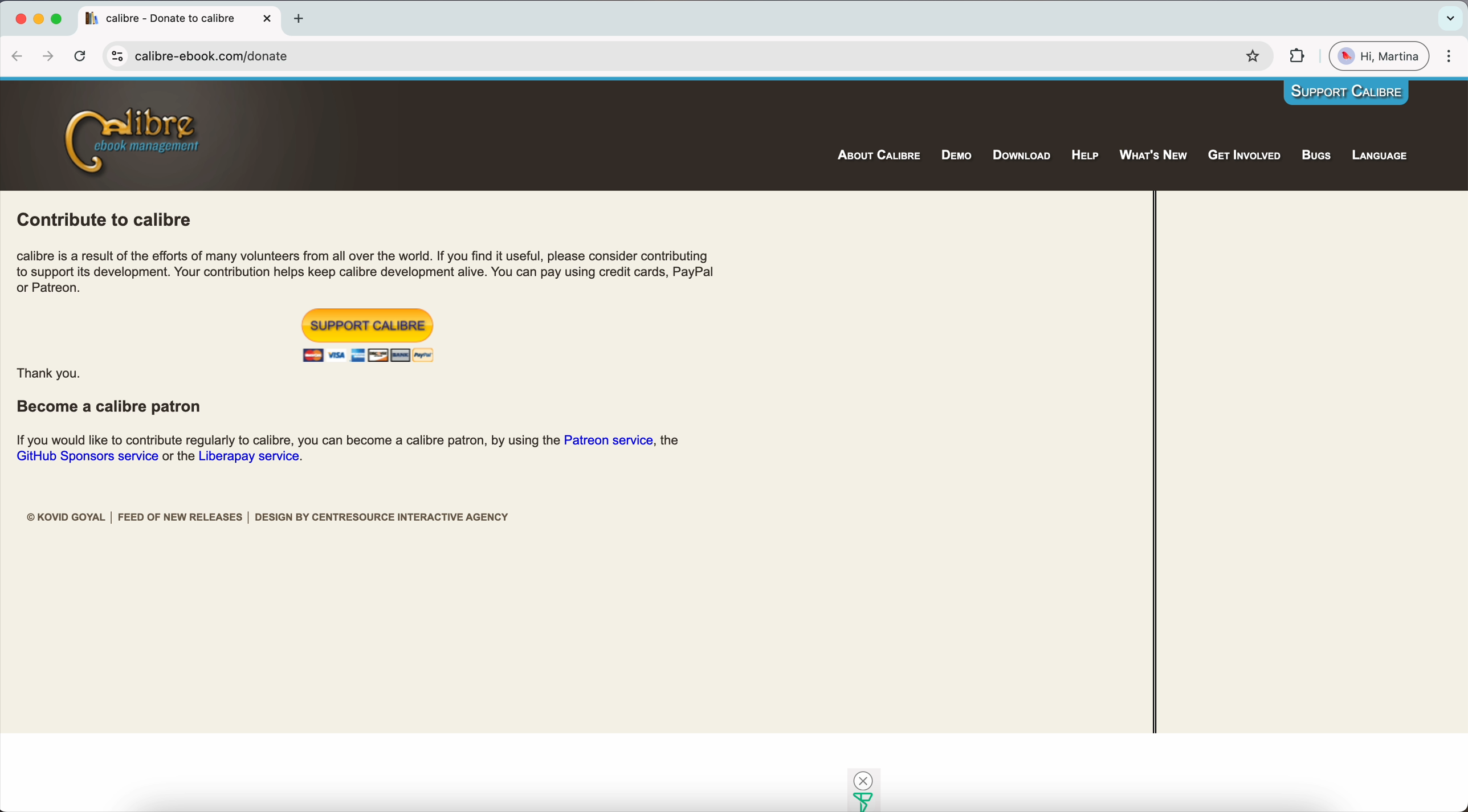 The image size is (1468, 812). Describe the element at coordinates (47, 56) in the screenshot. I see `foward` at that location.